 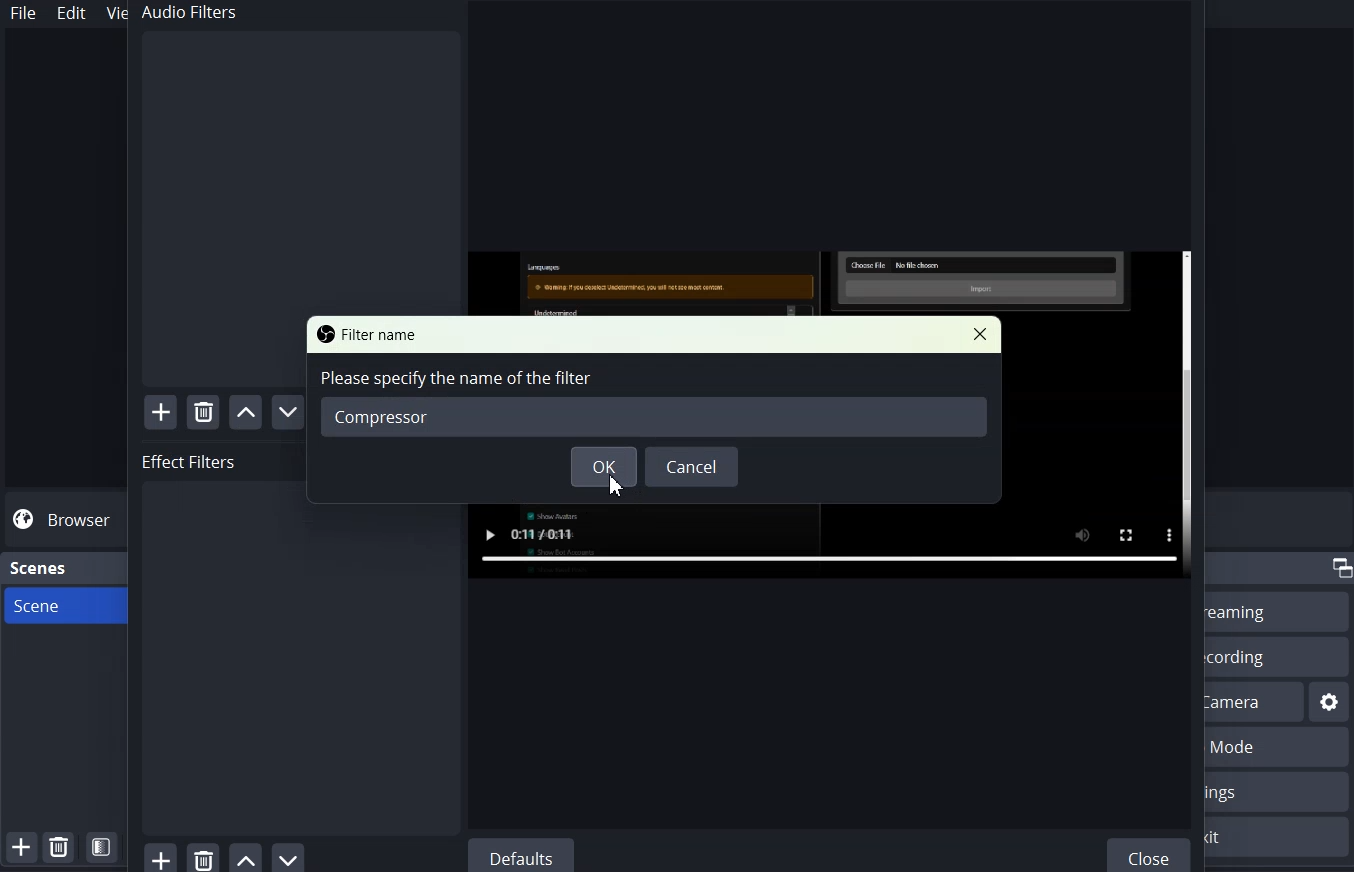 What do you see at coordinates (58, 846) in the screenshot?
I see `Remove Selected Scene` at bounding box center [58, 846].